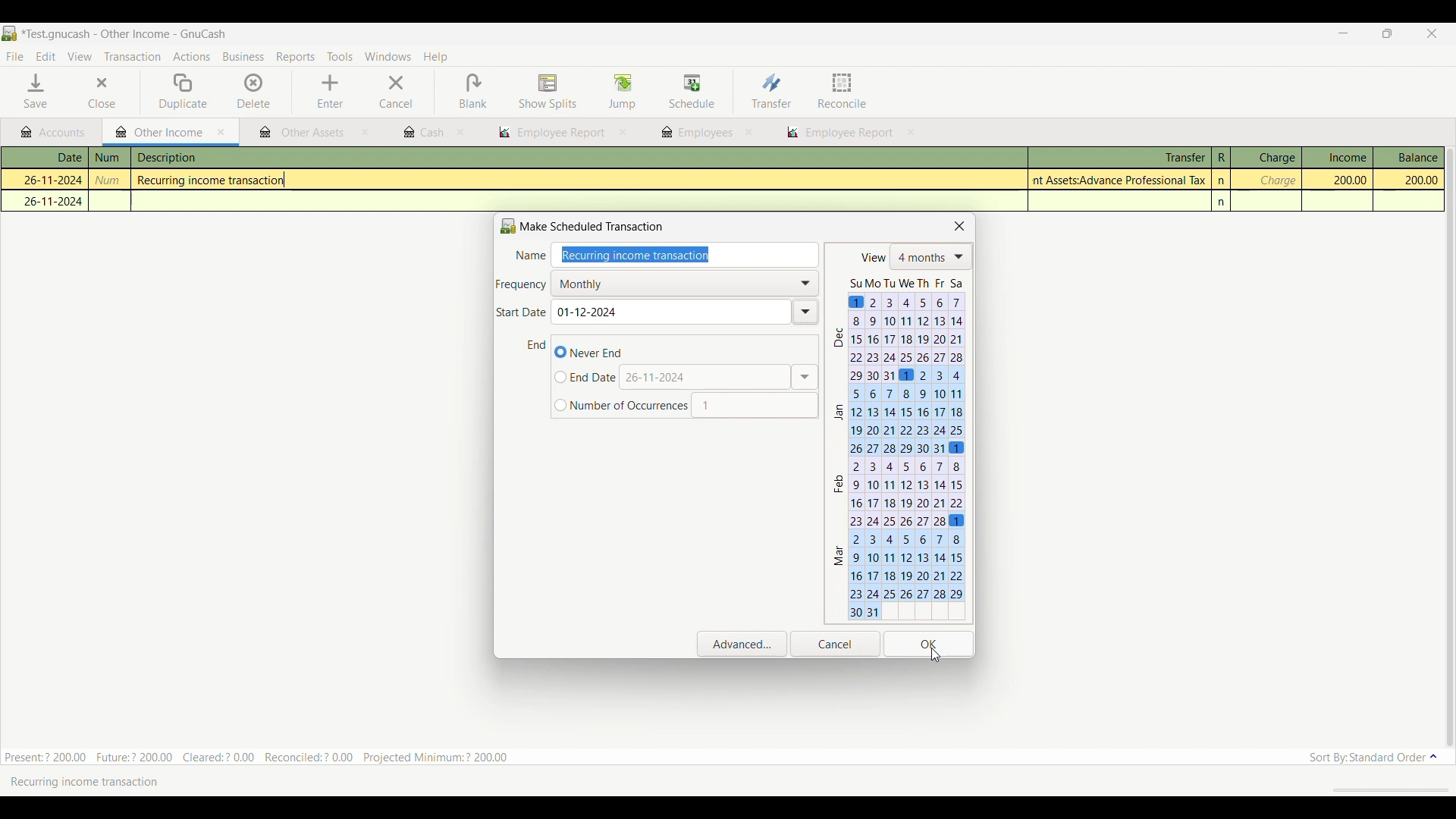  Describe the element at coordinates (56, 133) in the screenshot. I see `Accounts` at that location.